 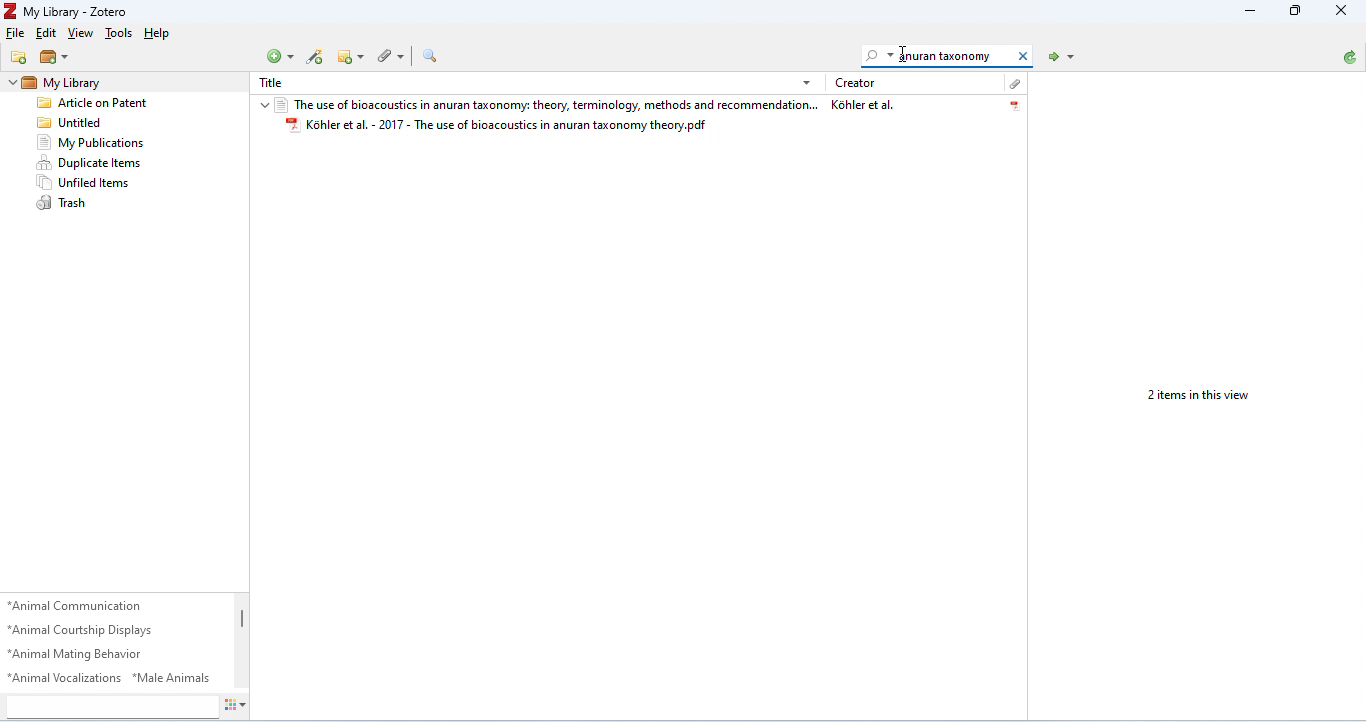 I want to click on Sync, so click(x=1351, y=58).